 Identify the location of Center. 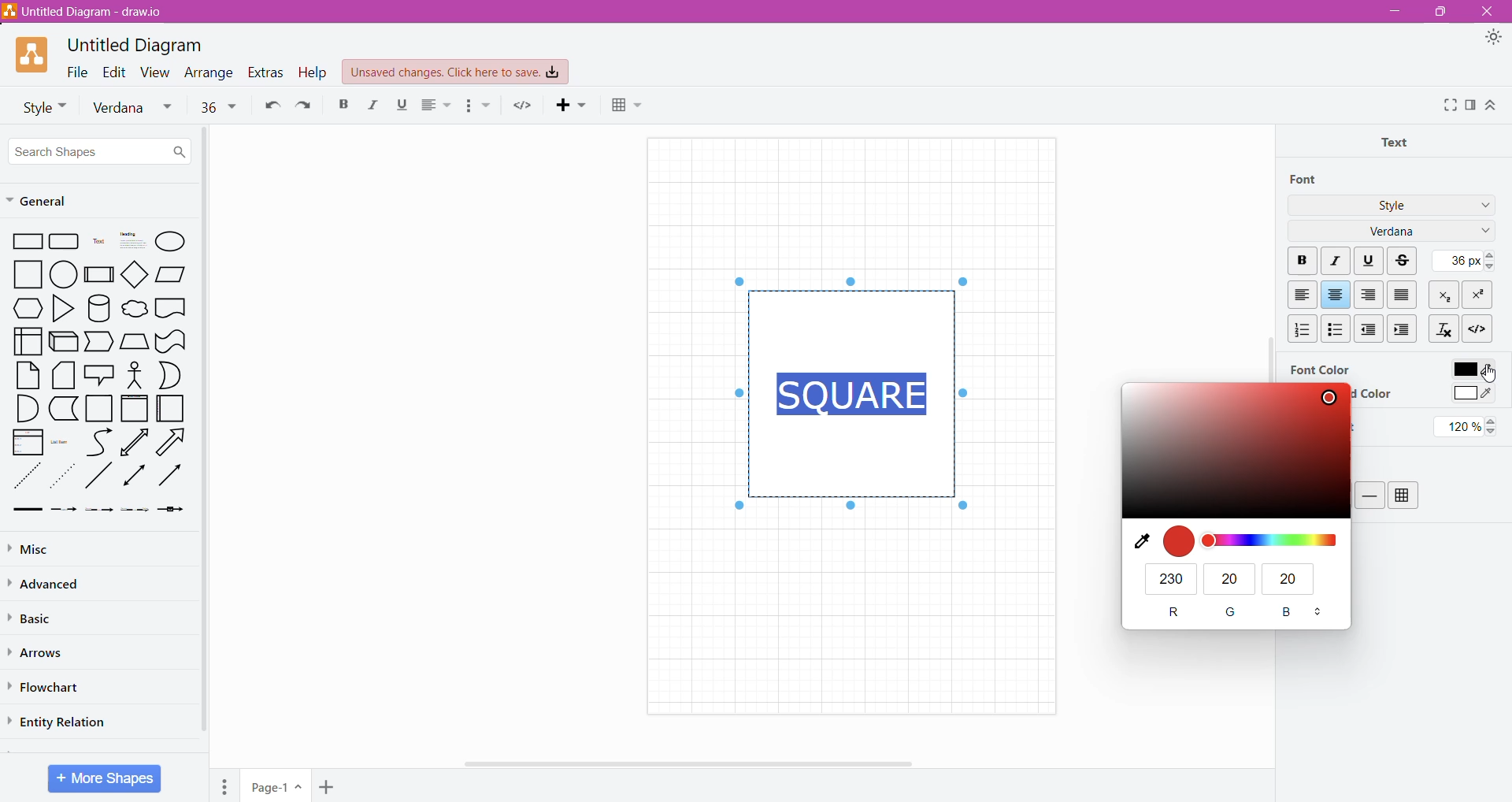
(1336, 295).